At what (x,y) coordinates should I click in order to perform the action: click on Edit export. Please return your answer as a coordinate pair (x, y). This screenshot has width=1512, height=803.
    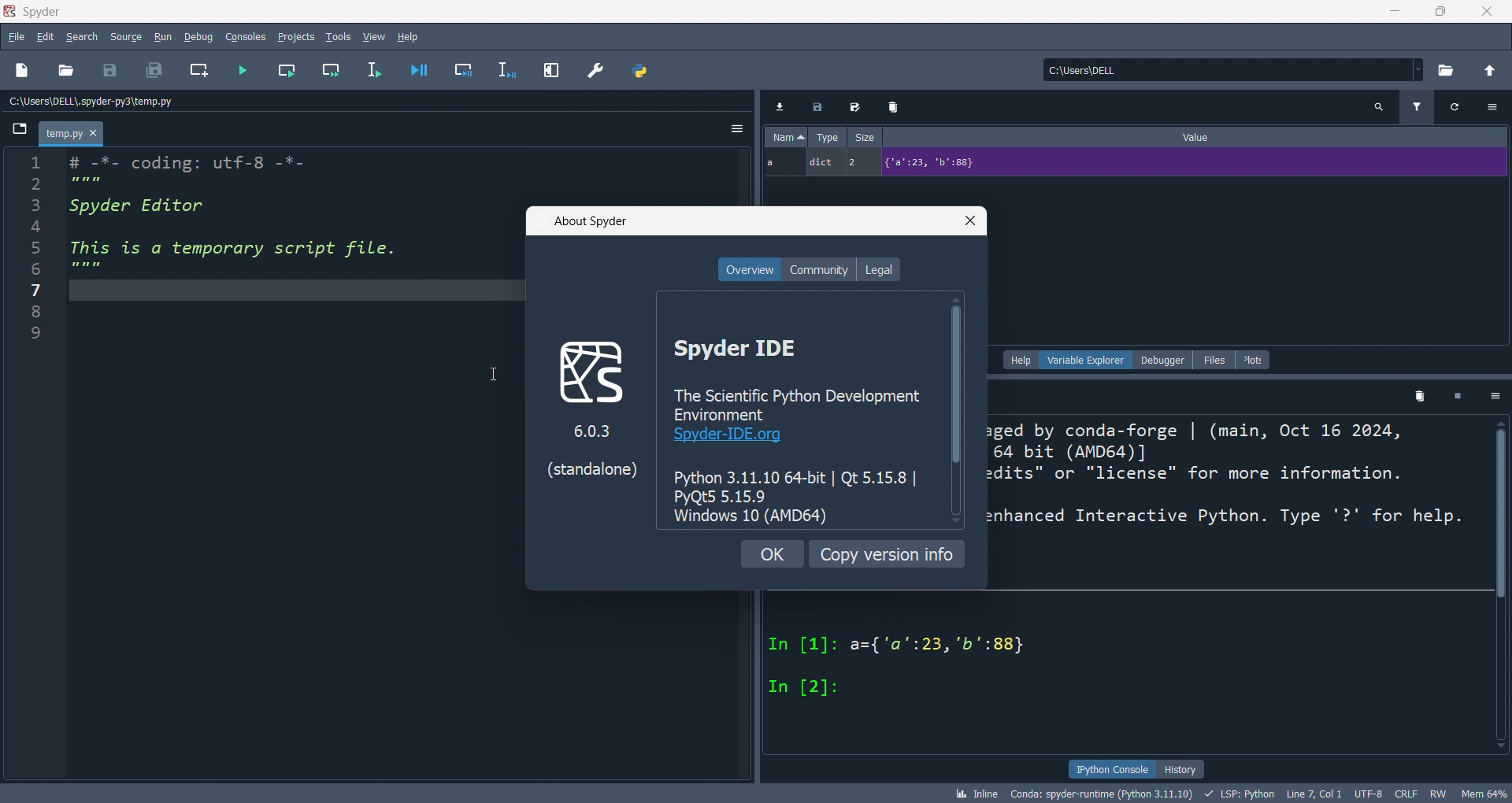
    Looking at the image, I should click on (856, 105).